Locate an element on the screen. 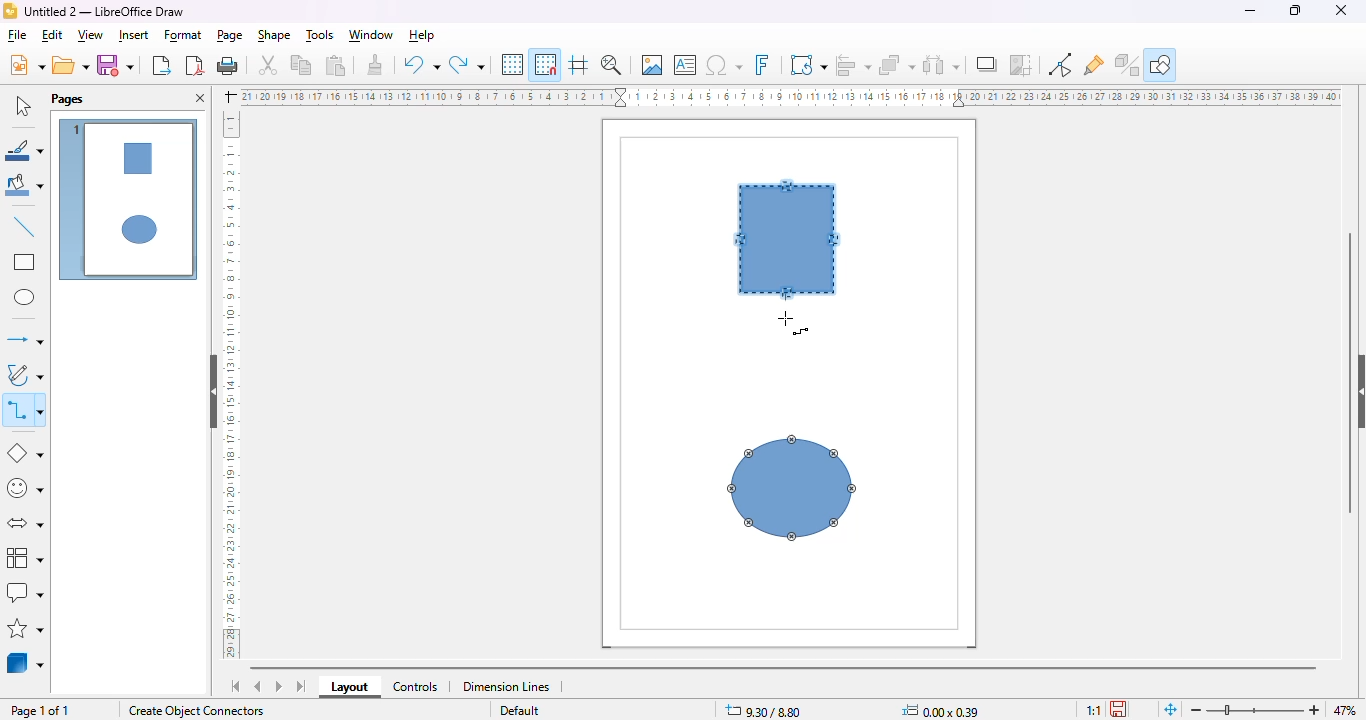 This screenshot has height=720, width=1366. ruler is located at coordinates (791, 96).